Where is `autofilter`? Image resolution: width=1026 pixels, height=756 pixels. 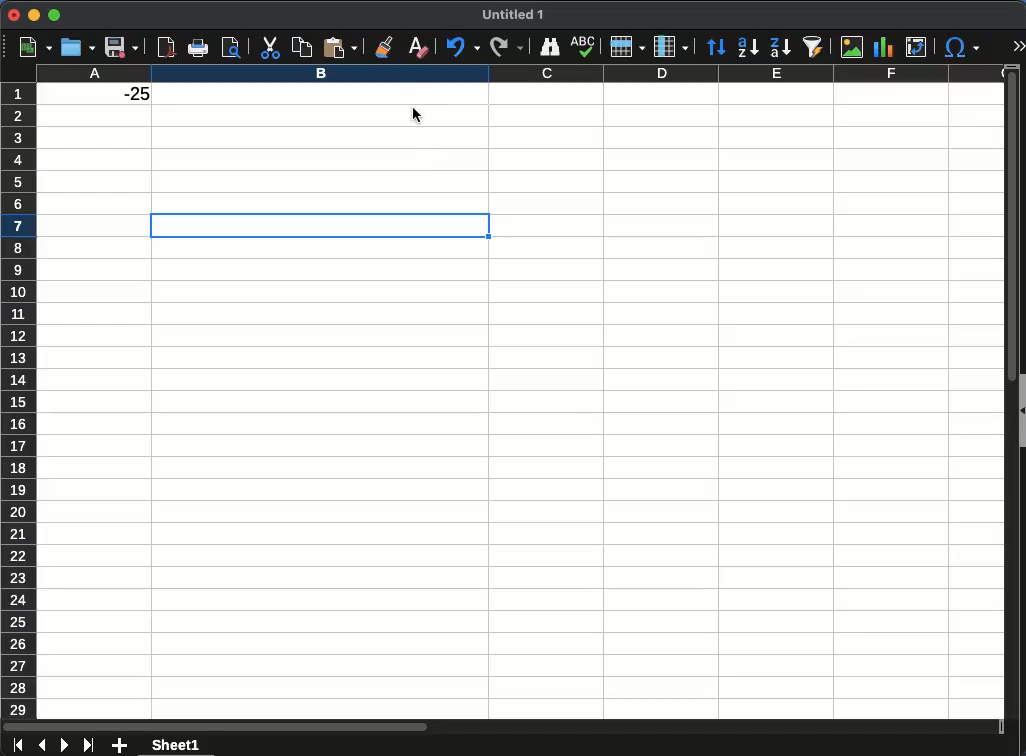
autofilter is located at coordinates (816, 47).